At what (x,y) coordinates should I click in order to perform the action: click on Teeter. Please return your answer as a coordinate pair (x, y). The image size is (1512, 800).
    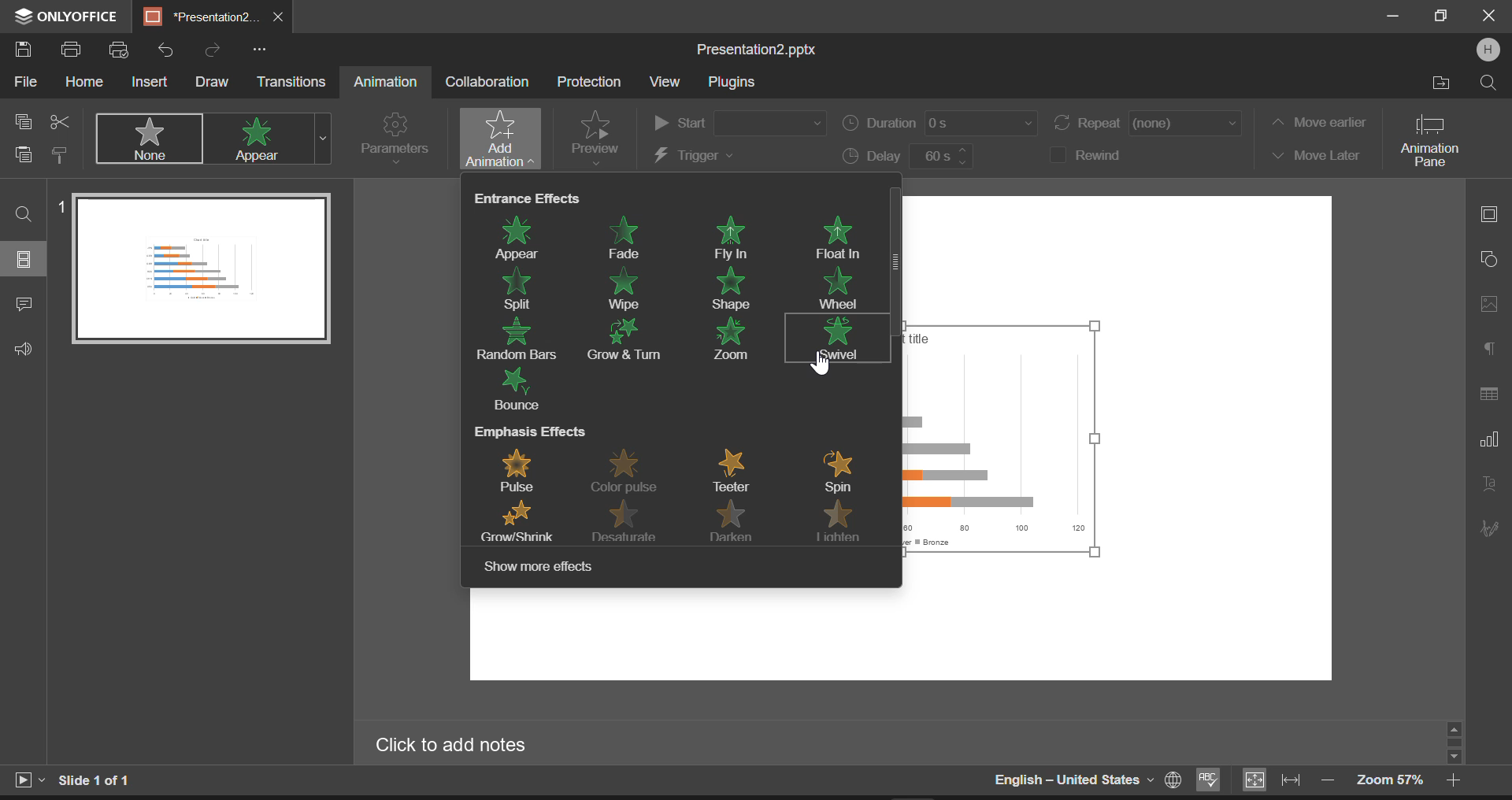
    Looking at the image, I should click on (736, 470).